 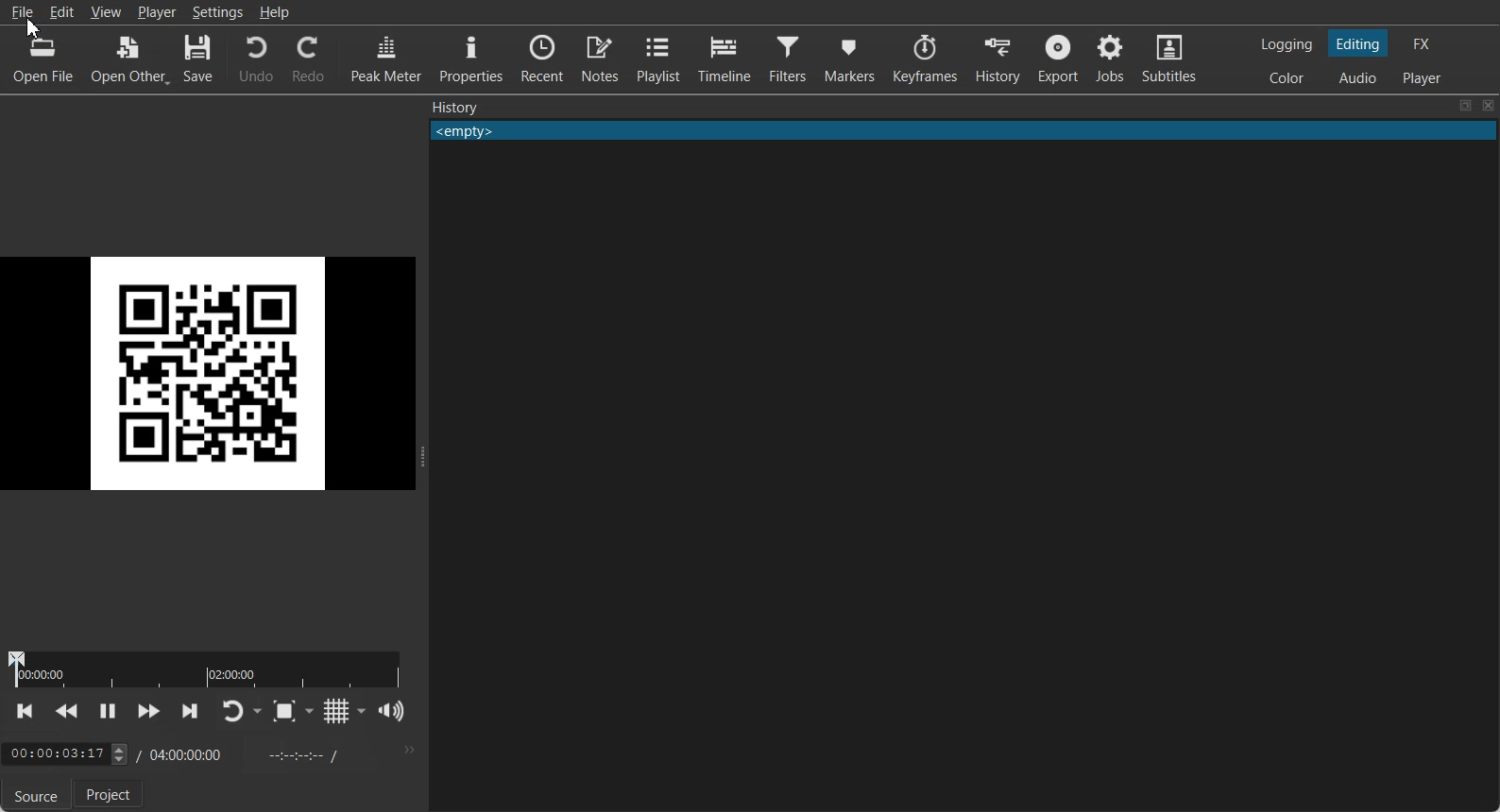 What do you see at coordinates (198, 58) in the screenshot?
I see `Save` at bounding box center [198, 58].